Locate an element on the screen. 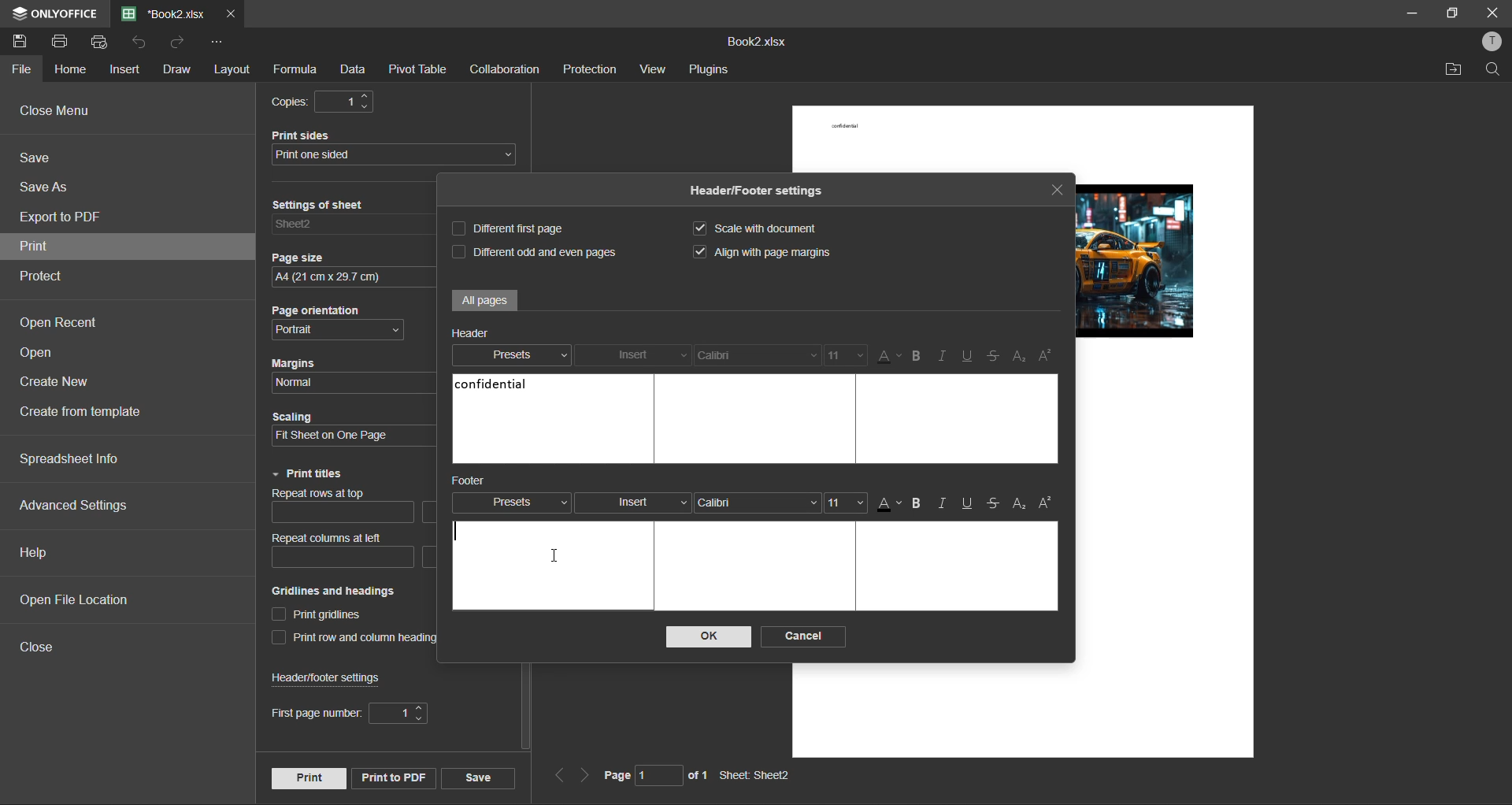  strikethrough is located at coordinates (997, 503).